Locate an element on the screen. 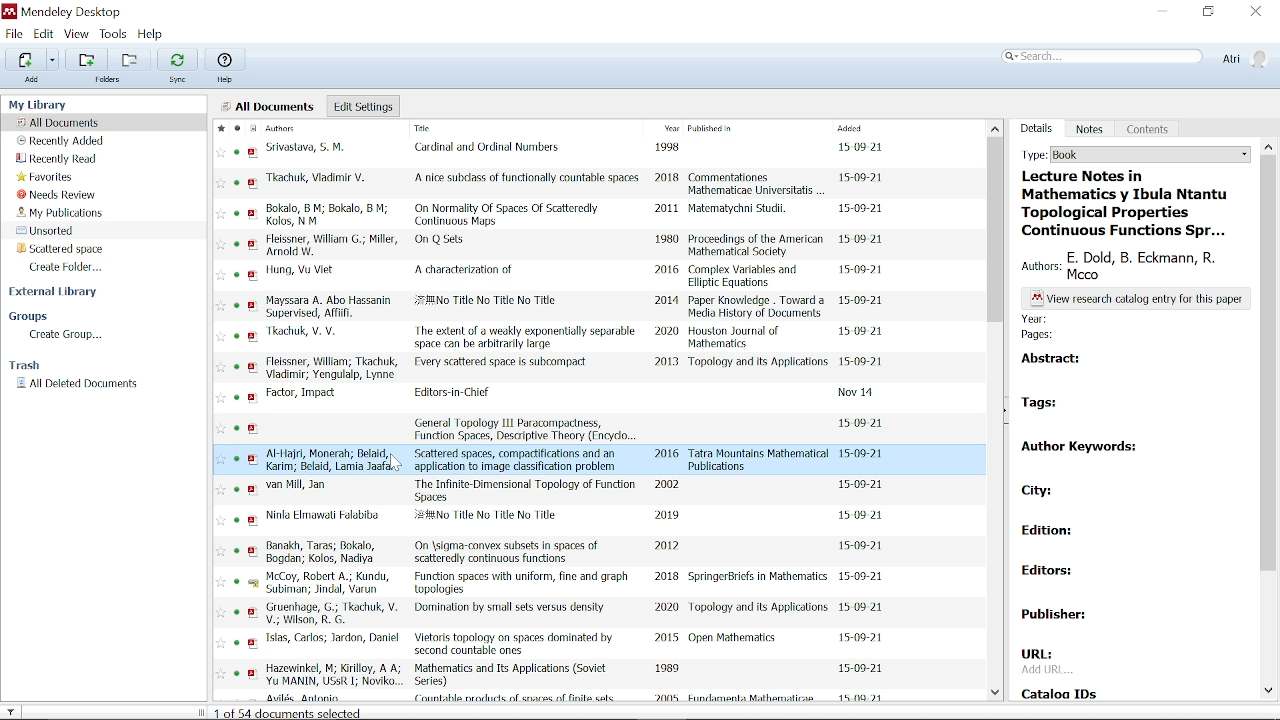 This screenshot has height=720, width=1280. Document format is located at coordinates (252, 128).